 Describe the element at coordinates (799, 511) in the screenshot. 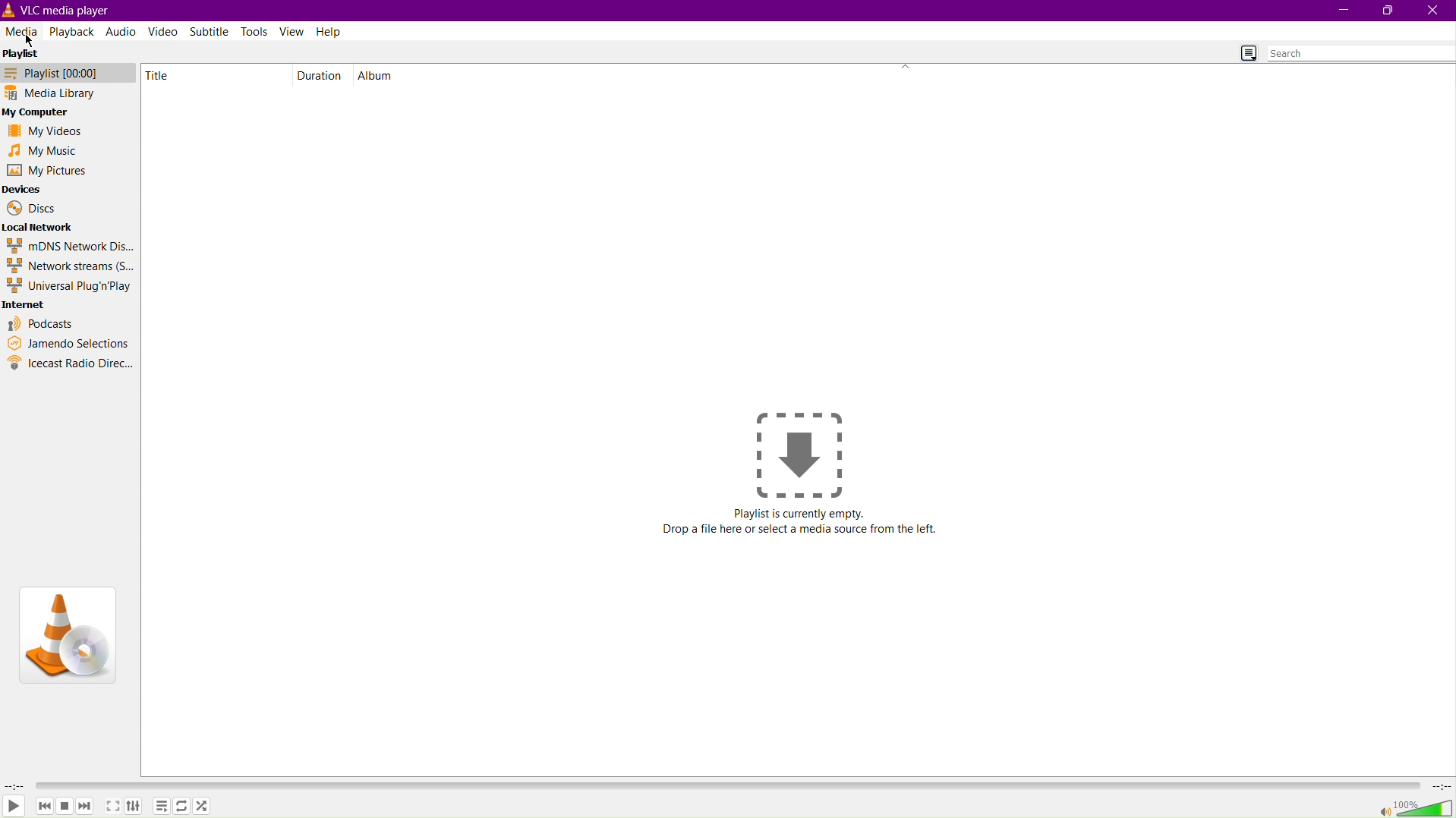

I see `Playlist is currently empty.` at that location.